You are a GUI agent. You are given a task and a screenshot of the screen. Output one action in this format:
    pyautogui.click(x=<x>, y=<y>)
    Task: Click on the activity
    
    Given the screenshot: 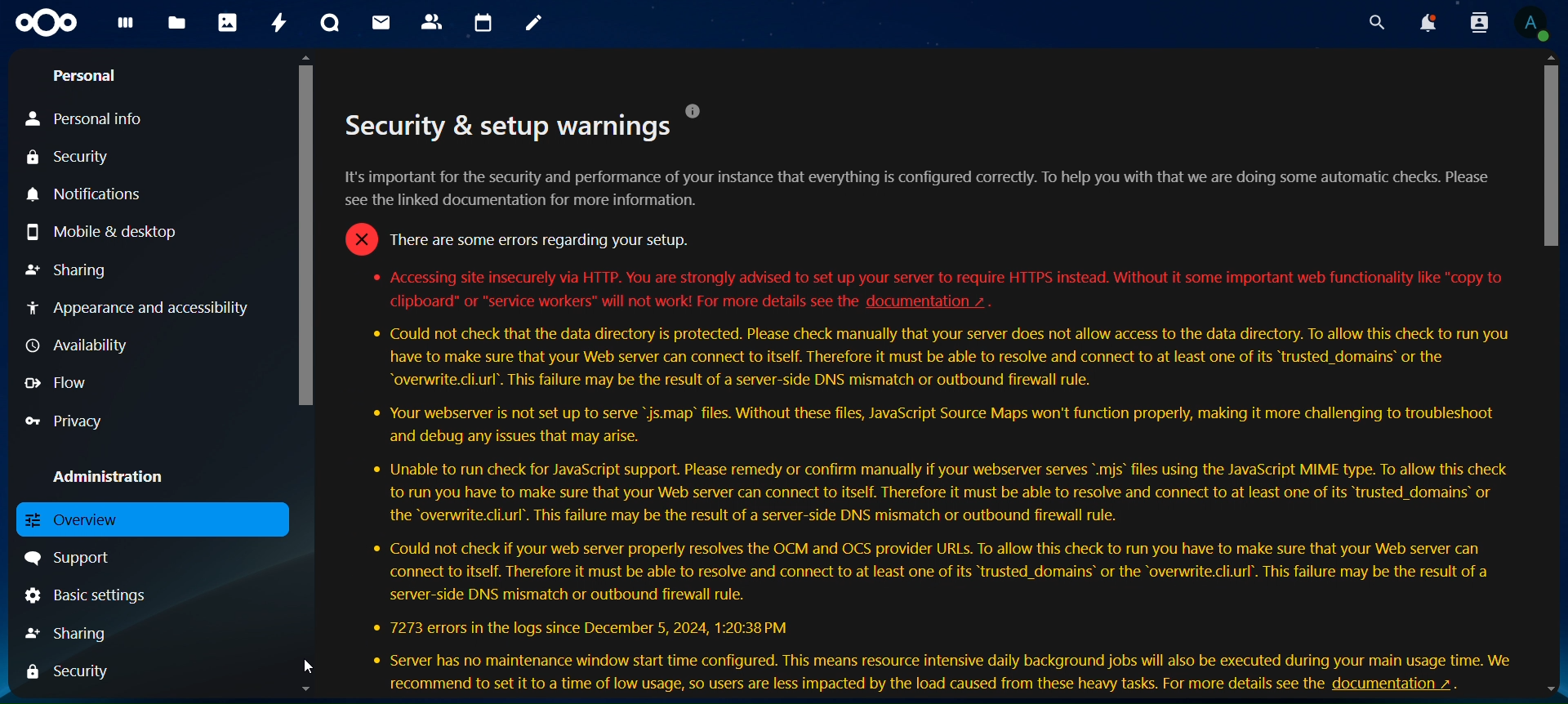 What is the action you would take?
    pyautogui.click(x=281, y=25)
    